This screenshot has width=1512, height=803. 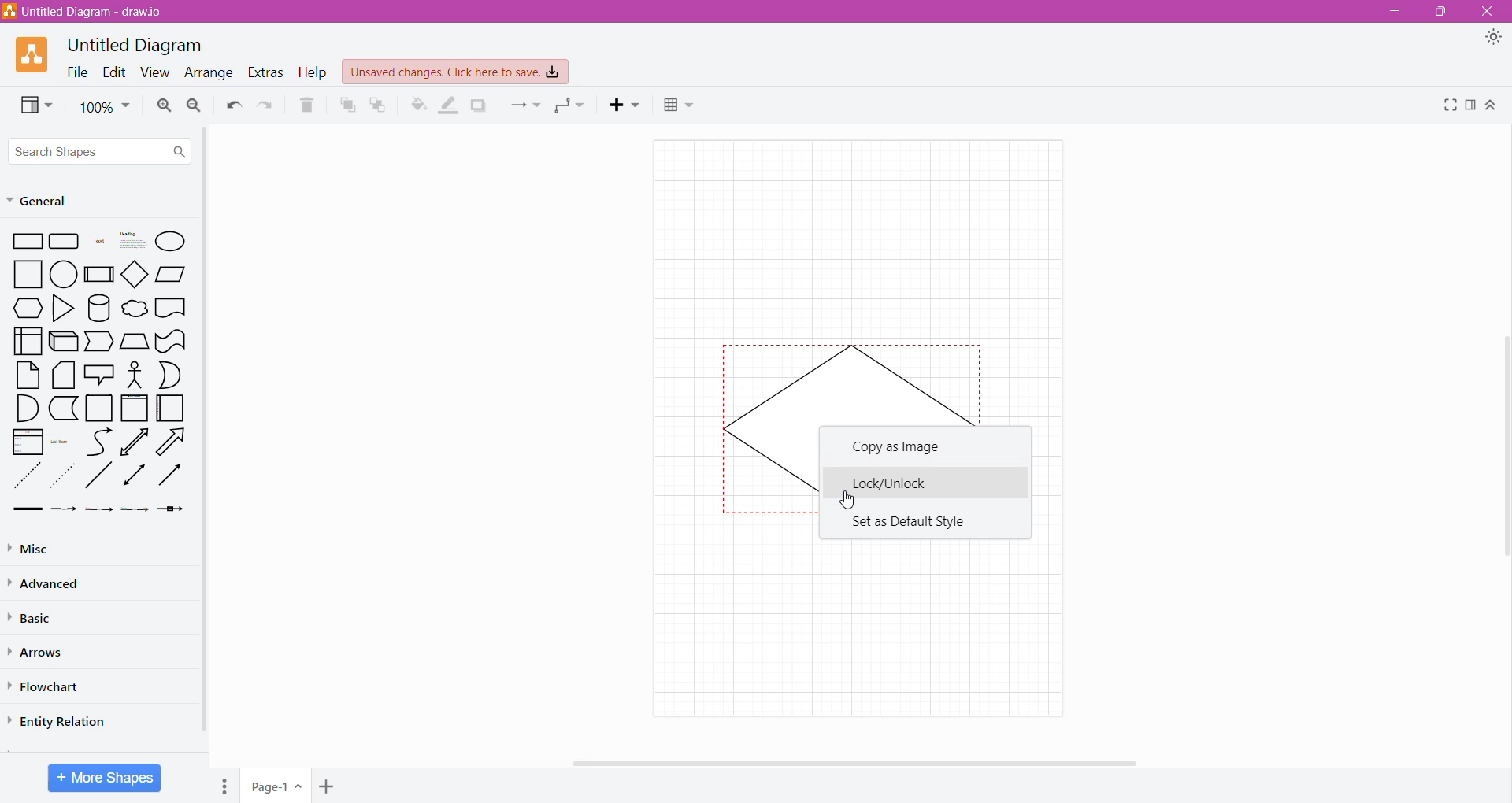 What do you see at coordinates (135, 442) in the screenshot?
I see `Bidirectional Arrow` at bounding box center [135, 442].